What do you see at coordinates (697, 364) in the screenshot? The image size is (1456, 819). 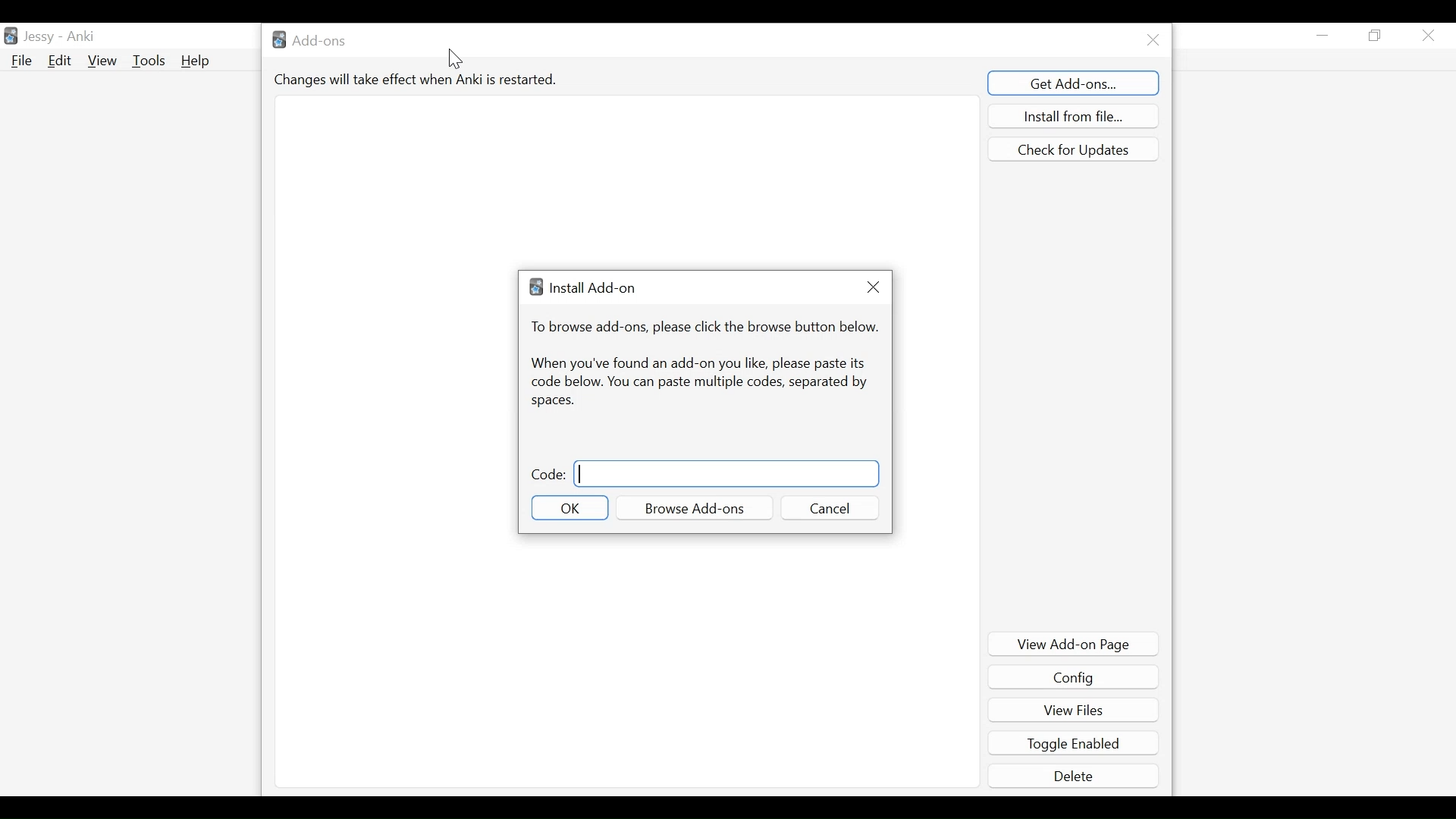 I see `When you have found an add-on you like, please paste its` at bounding box center [697, 364].